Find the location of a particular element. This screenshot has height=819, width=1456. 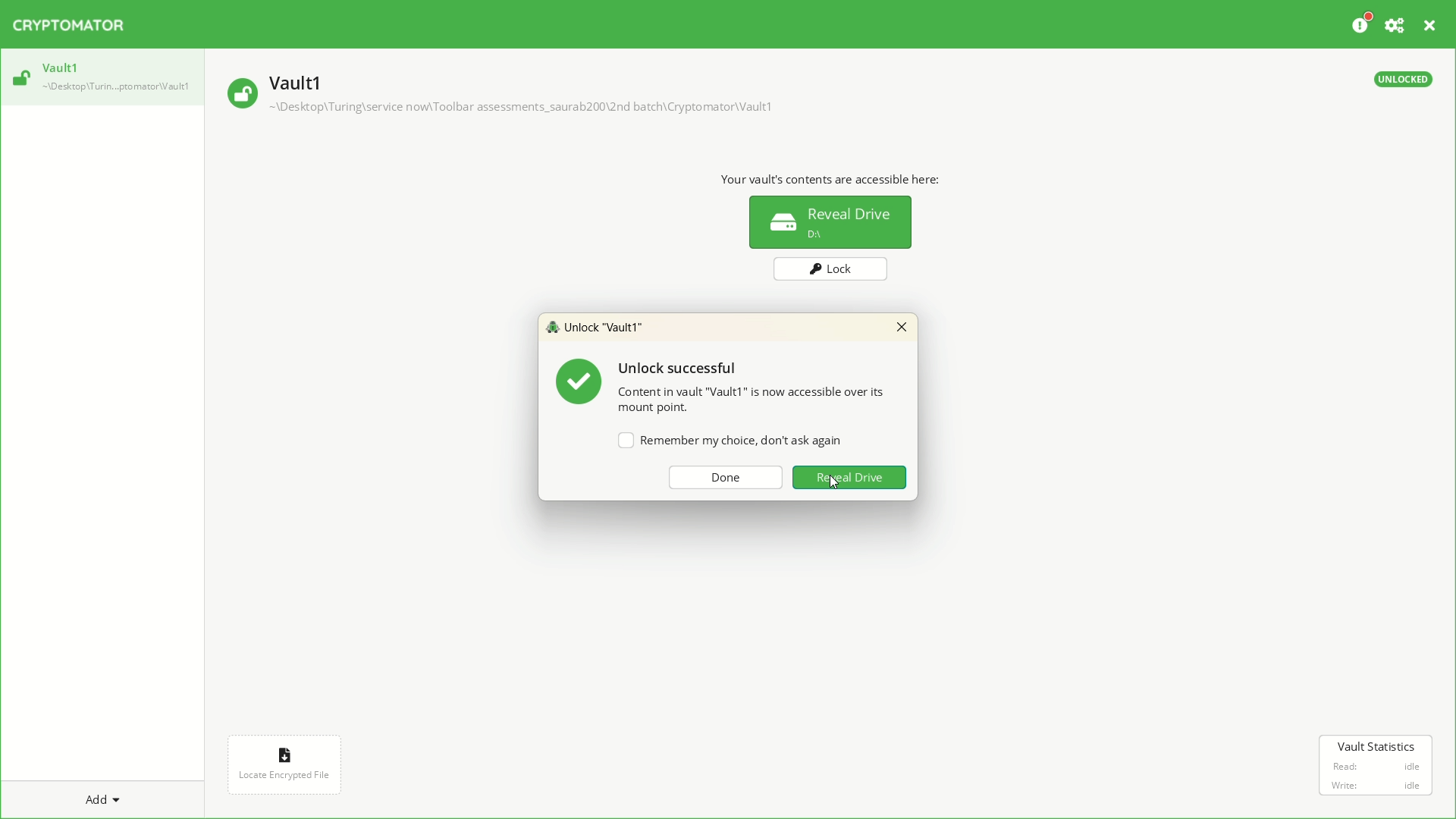

Success icon is located at coordinates (577, 381).